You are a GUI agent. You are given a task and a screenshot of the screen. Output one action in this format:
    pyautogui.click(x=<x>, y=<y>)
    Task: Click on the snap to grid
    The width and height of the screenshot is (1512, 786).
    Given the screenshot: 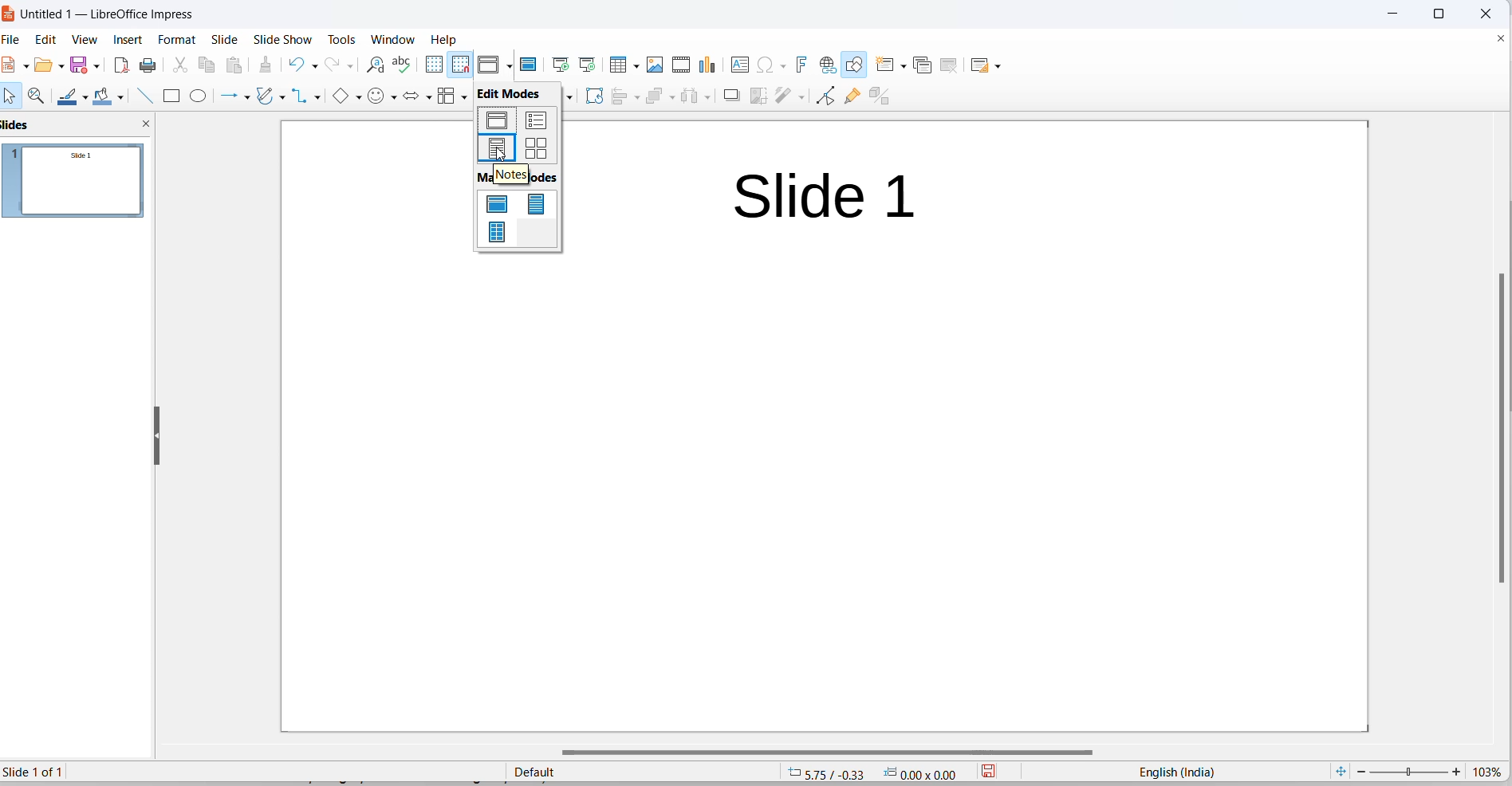 What is the action you would take?
    pyautogui.click(x=460, y=65)
    